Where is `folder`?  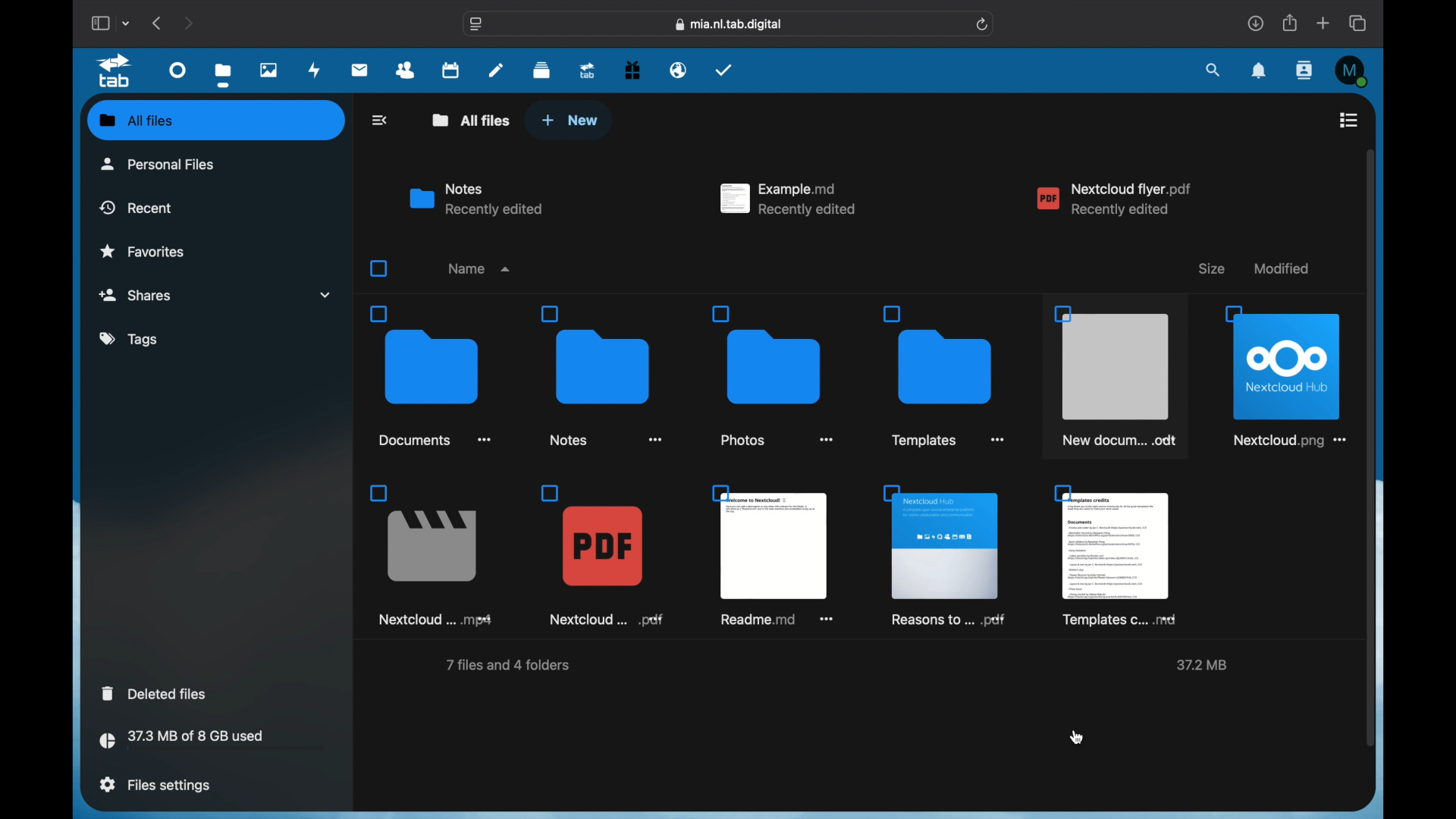
folder is located at coordinates (431, 375).